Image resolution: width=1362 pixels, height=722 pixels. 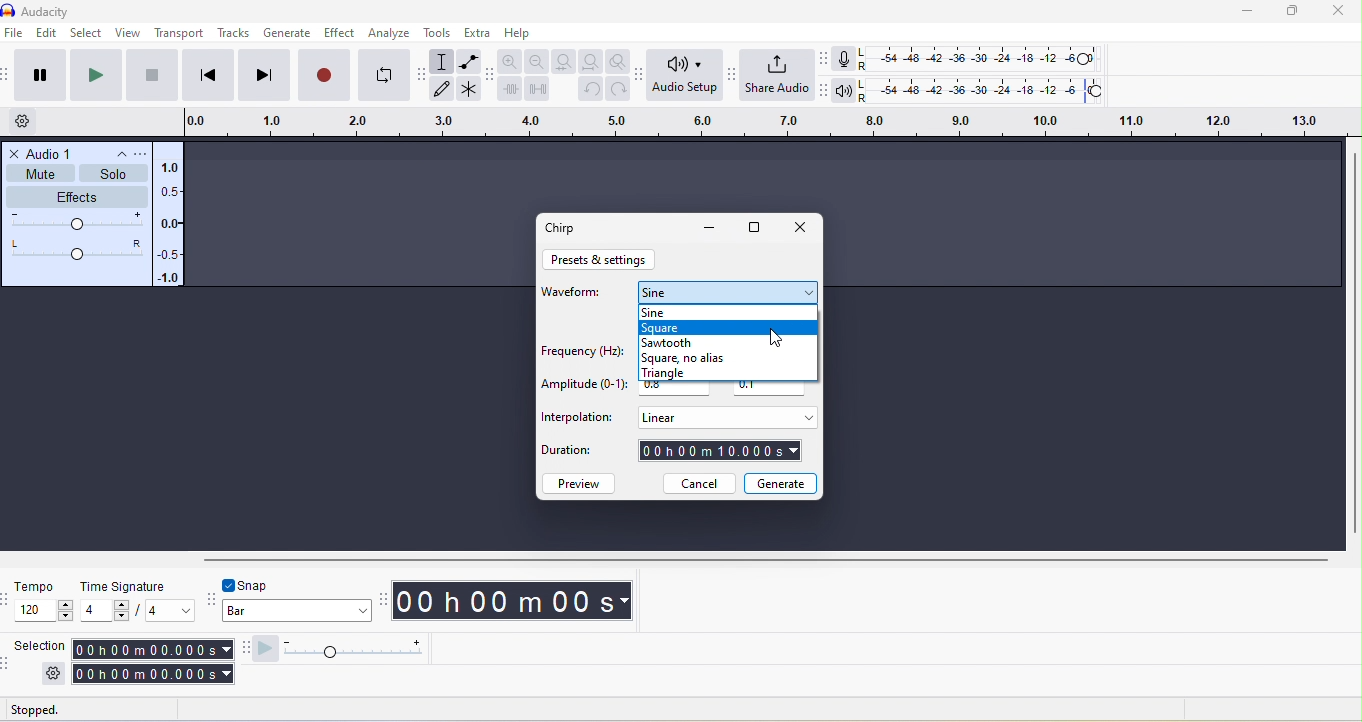 I want to click on playback level, so click(x=985, y=88).